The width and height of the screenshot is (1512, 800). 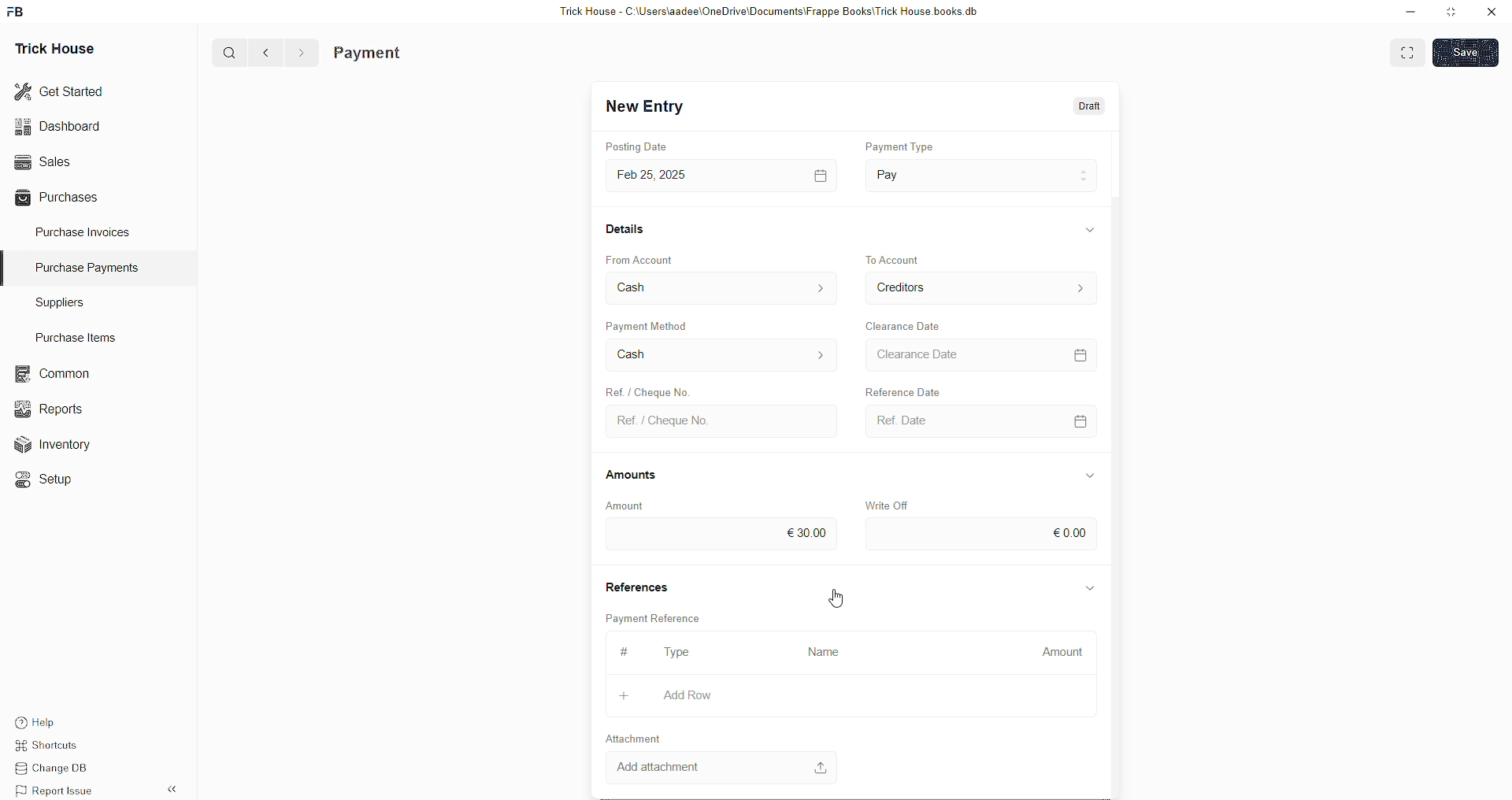 I want to click on Payment Method, so click(x=677, y=324).